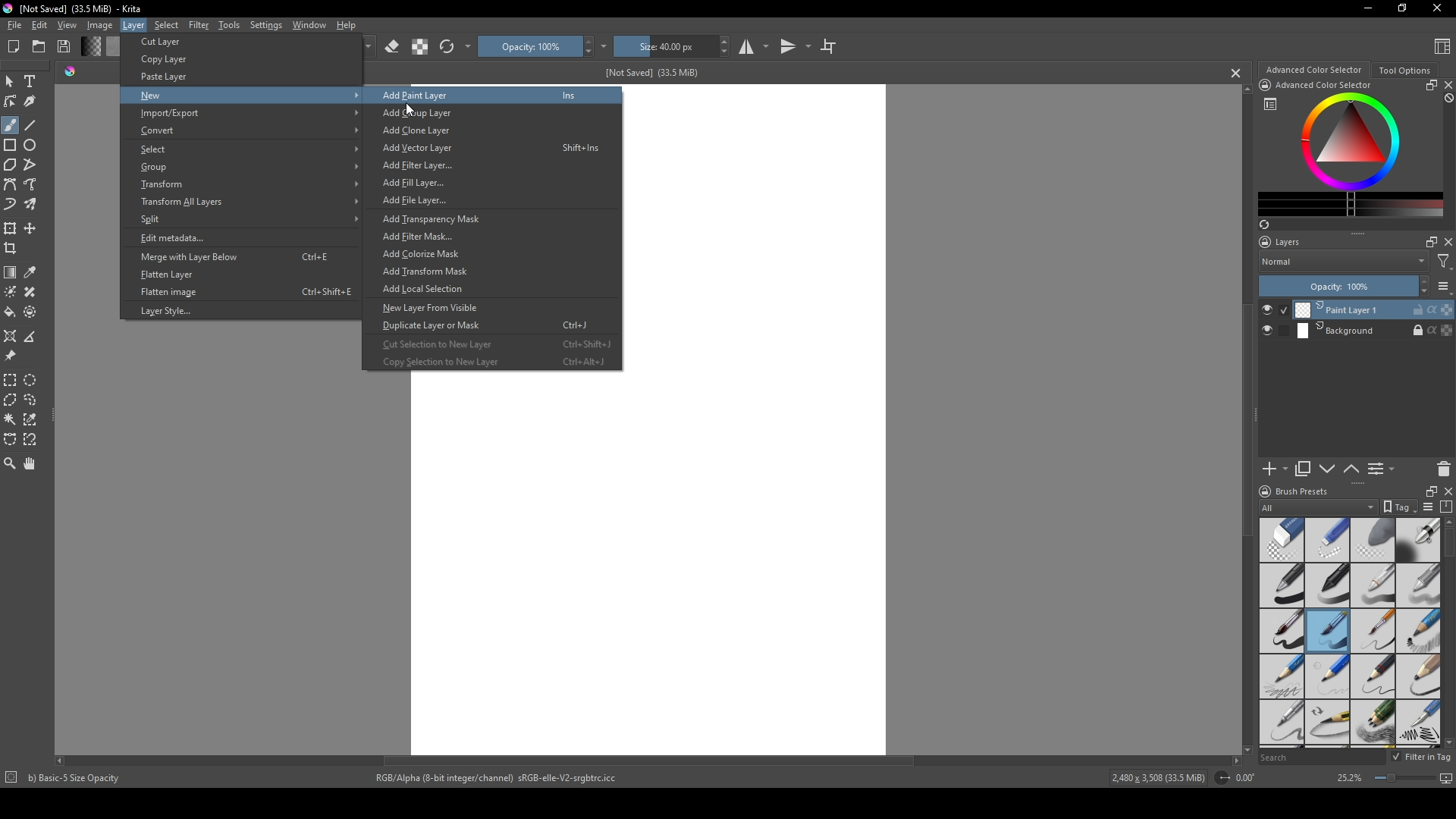  What do you see at coordinates (1324, 86) in the screenshot?
I see `Advanced Color Selector` at bounding box center [1324, 86].